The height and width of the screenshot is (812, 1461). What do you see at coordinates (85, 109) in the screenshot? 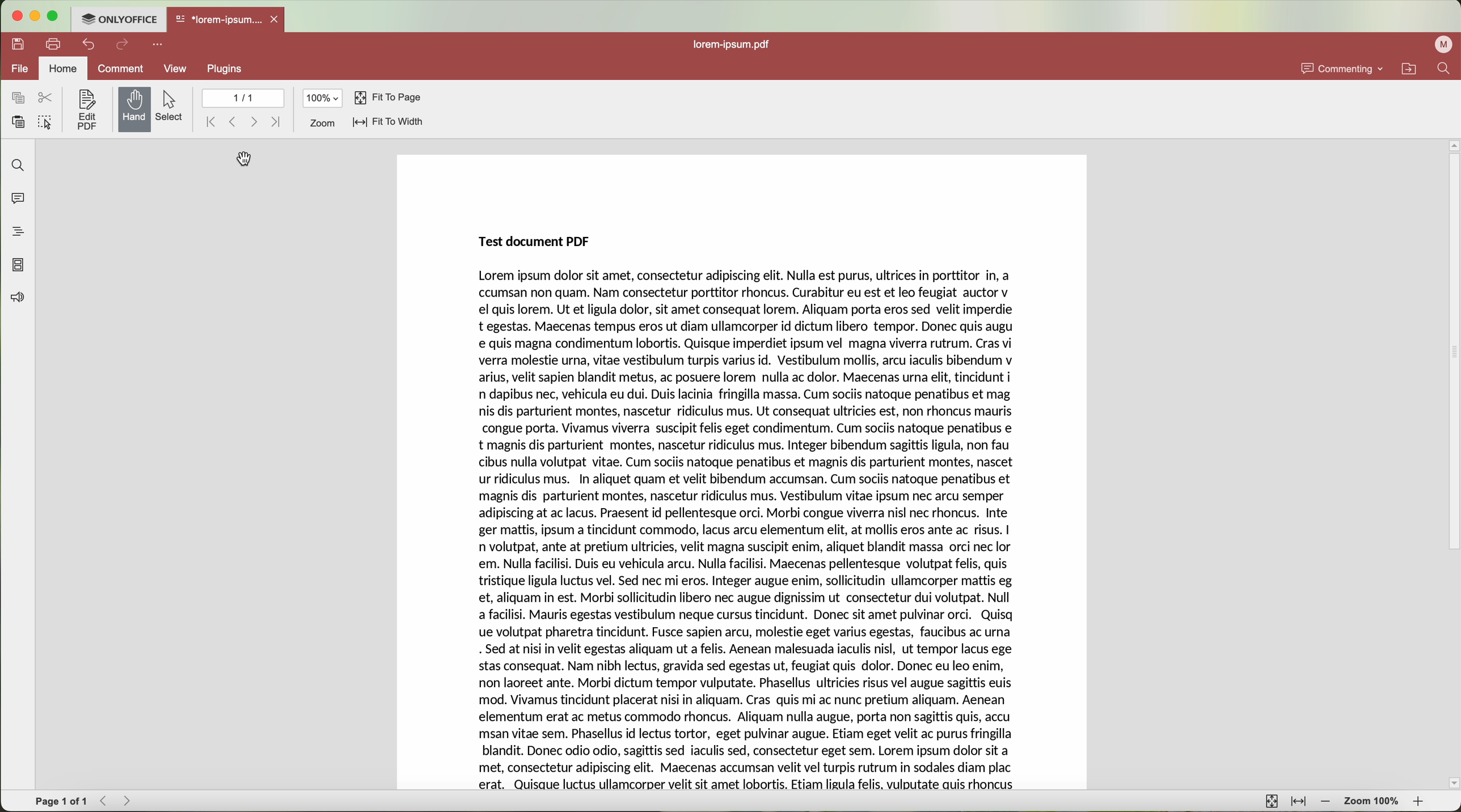
I see `edit PDF` at bounding box center [85, 109].